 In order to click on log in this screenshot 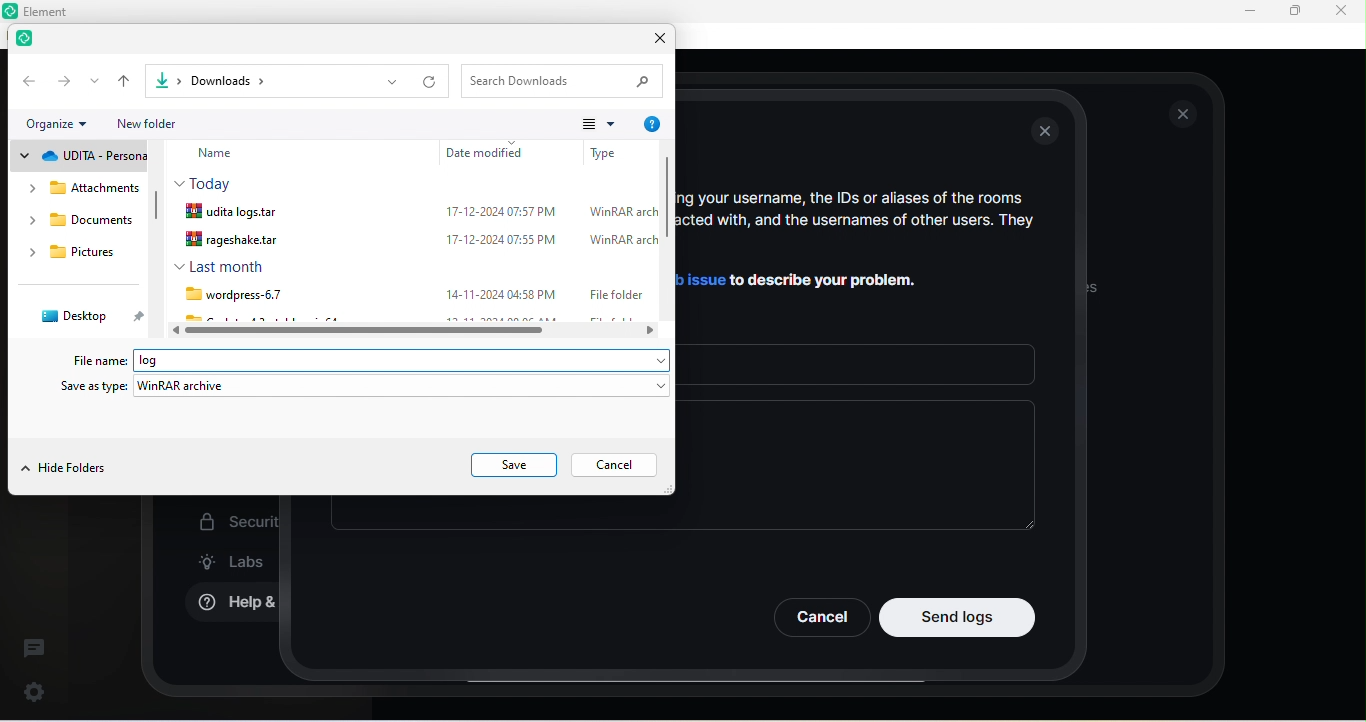, I will do `click(167, 360)`.